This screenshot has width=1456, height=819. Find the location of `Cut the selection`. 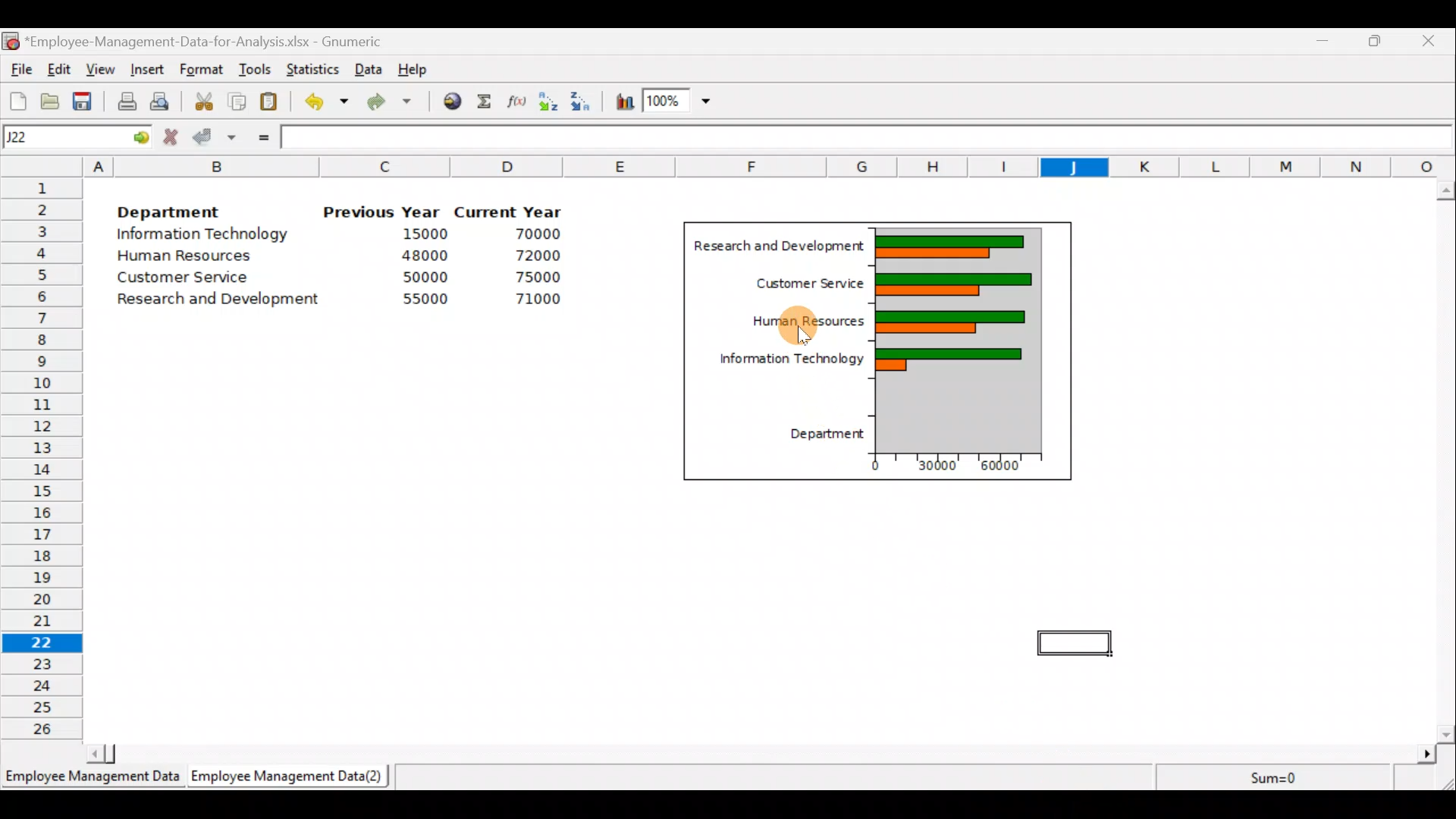

Cut the selection is located at coordinates (206, 104).